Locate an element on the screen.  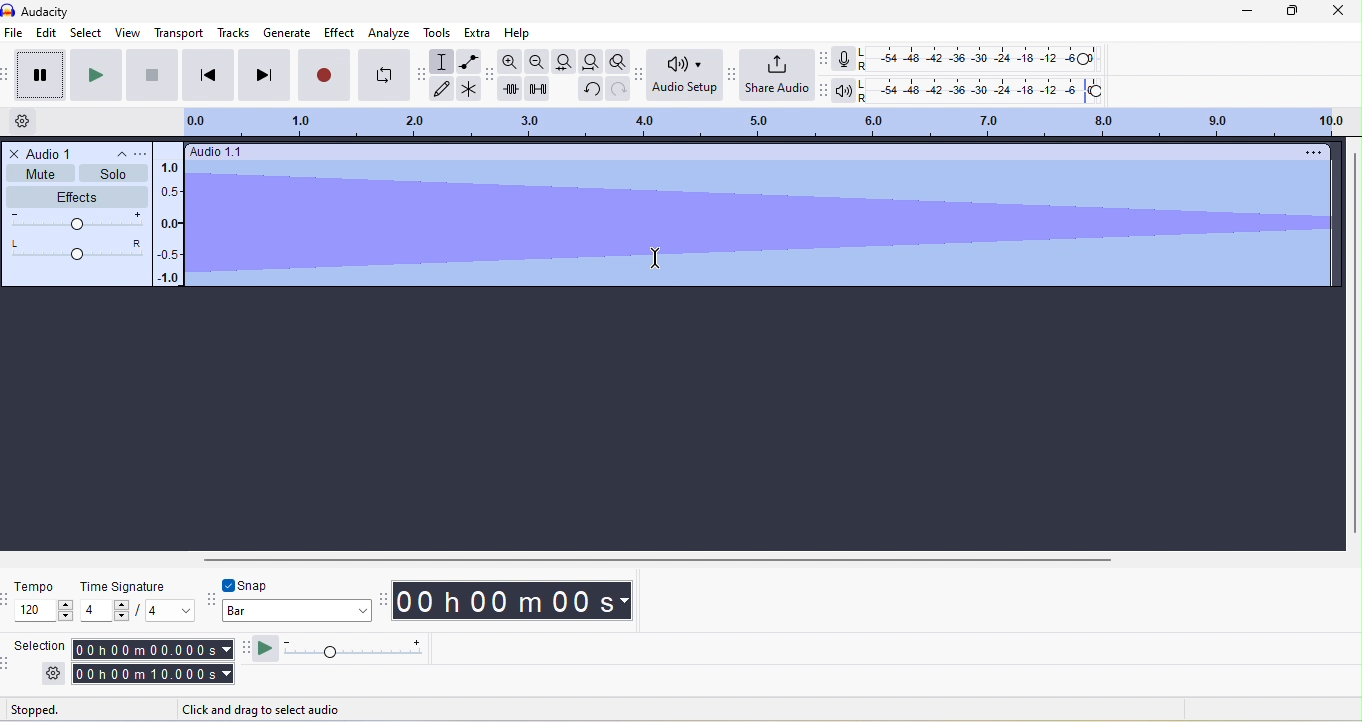
minimize is located at coordinates (1250, 11).